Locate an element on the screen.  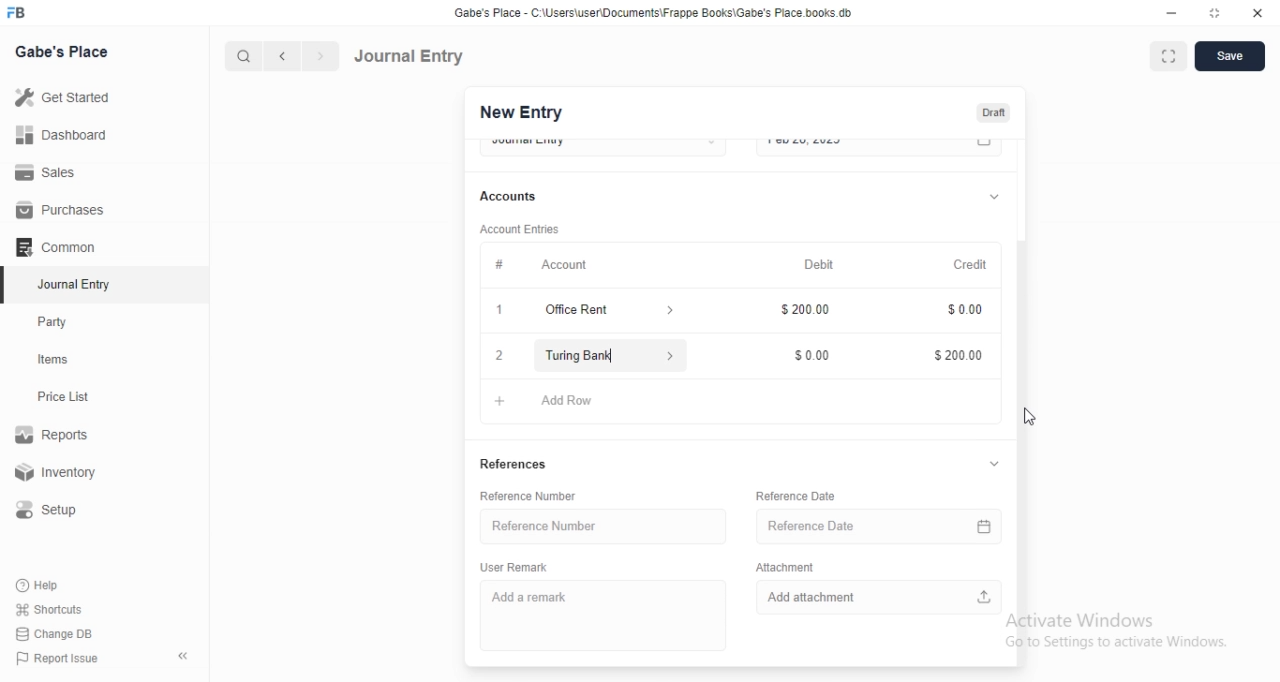
Office Rent is located at coordinates (580, 310).